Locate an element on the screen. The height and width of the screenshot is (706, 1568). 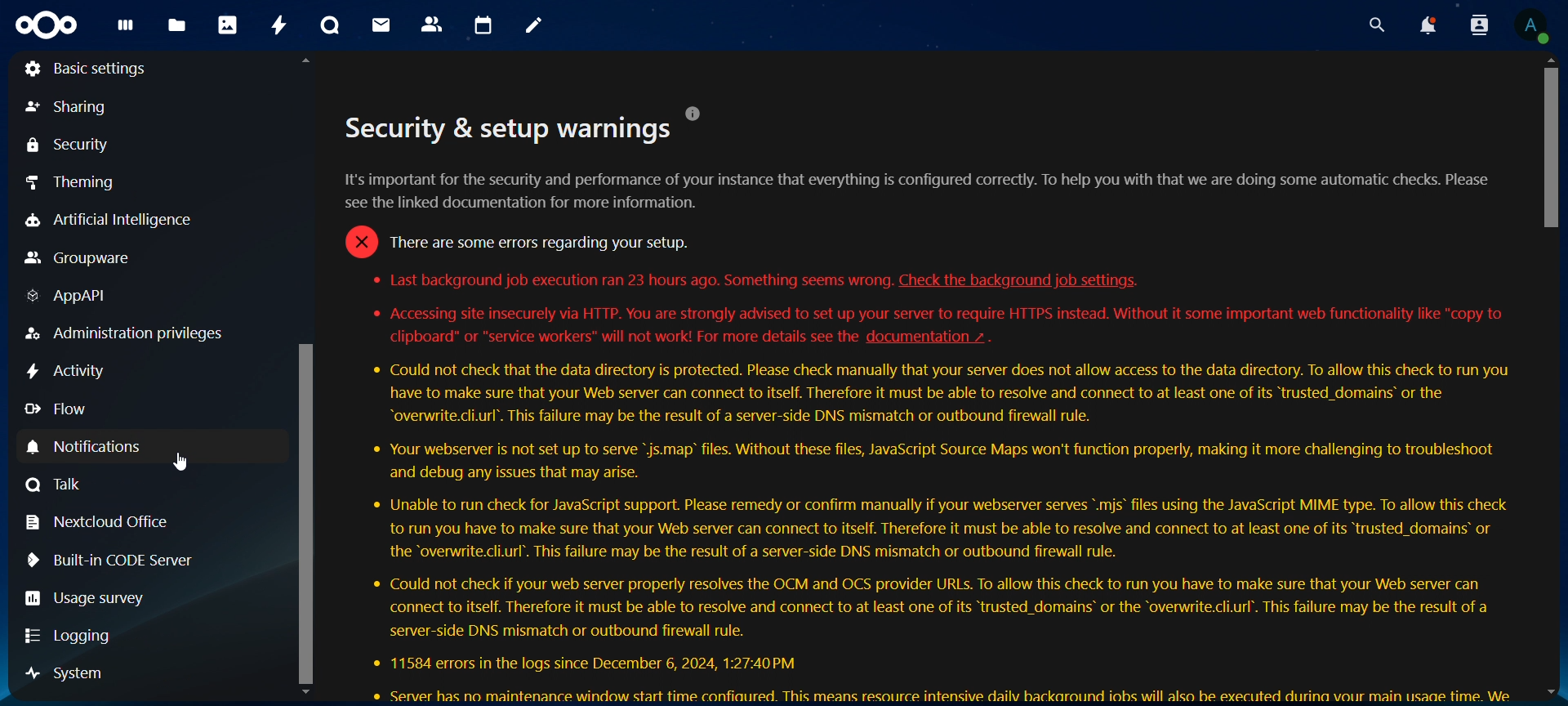
mail is located at coordinates (382, 24).